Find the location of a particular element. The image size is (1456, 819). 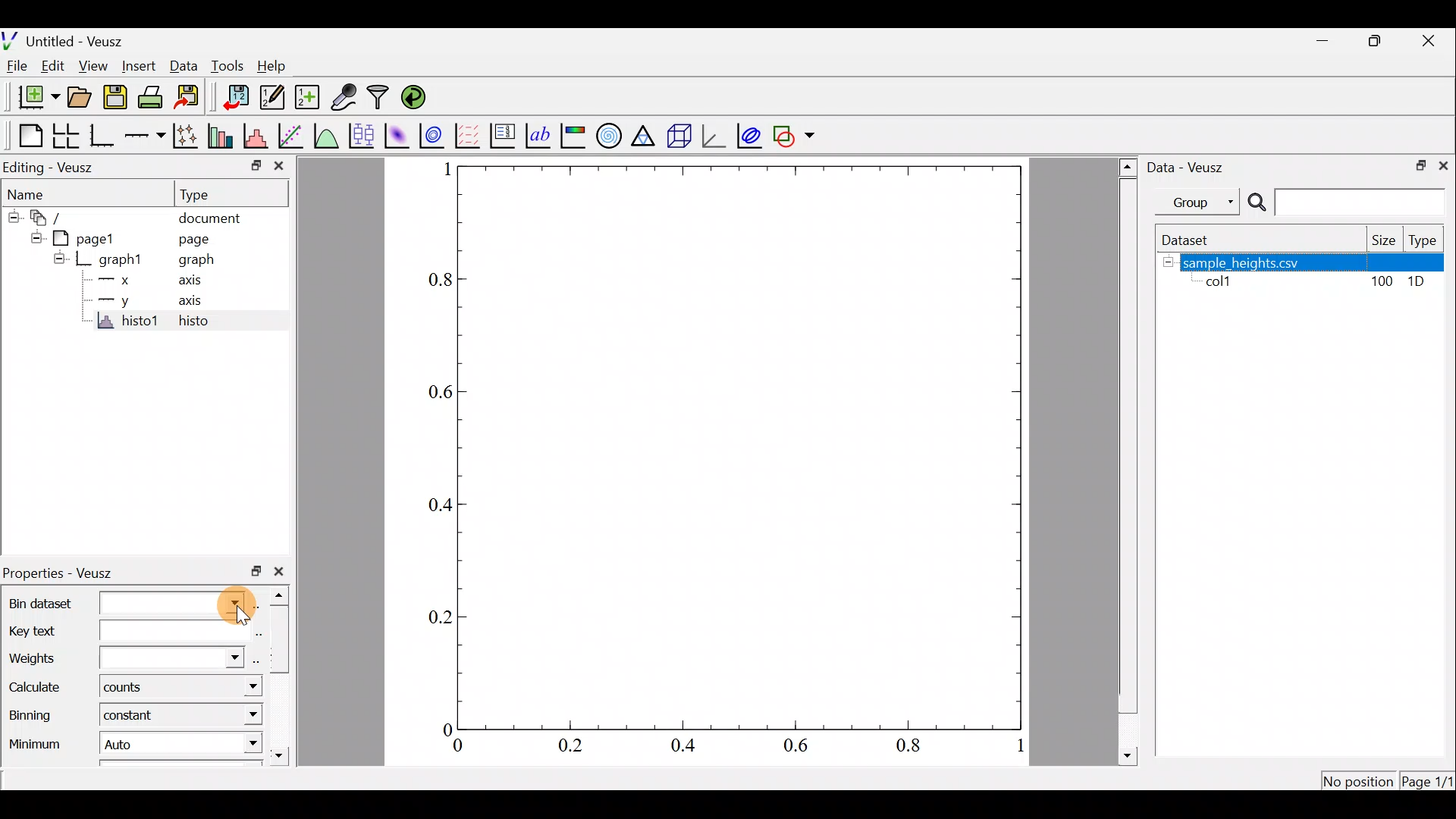

[No position is located at coordinates (1360, 780).